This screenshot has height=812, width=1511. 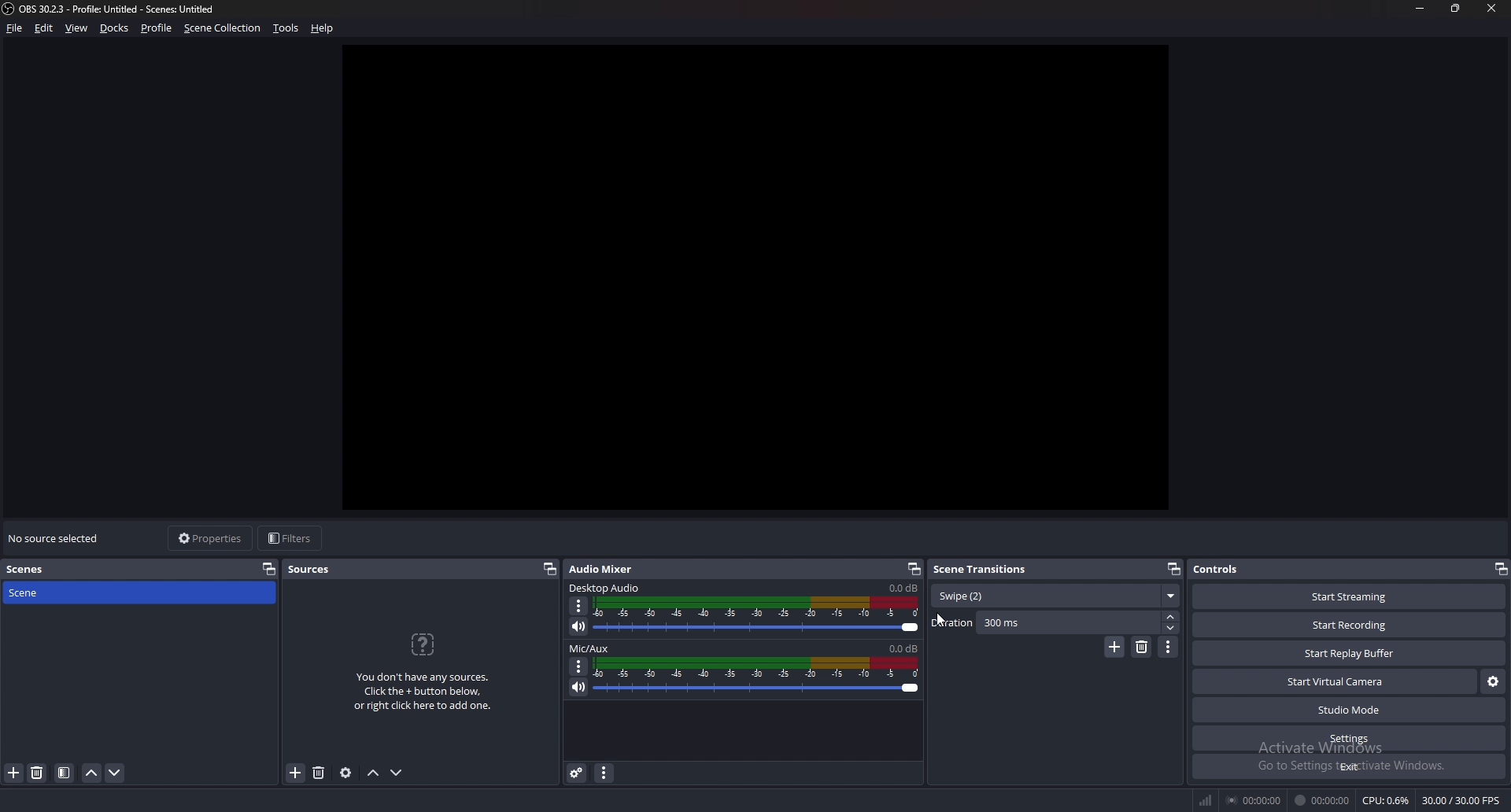 I want to click on start recording, so click(x=1350, y=626).